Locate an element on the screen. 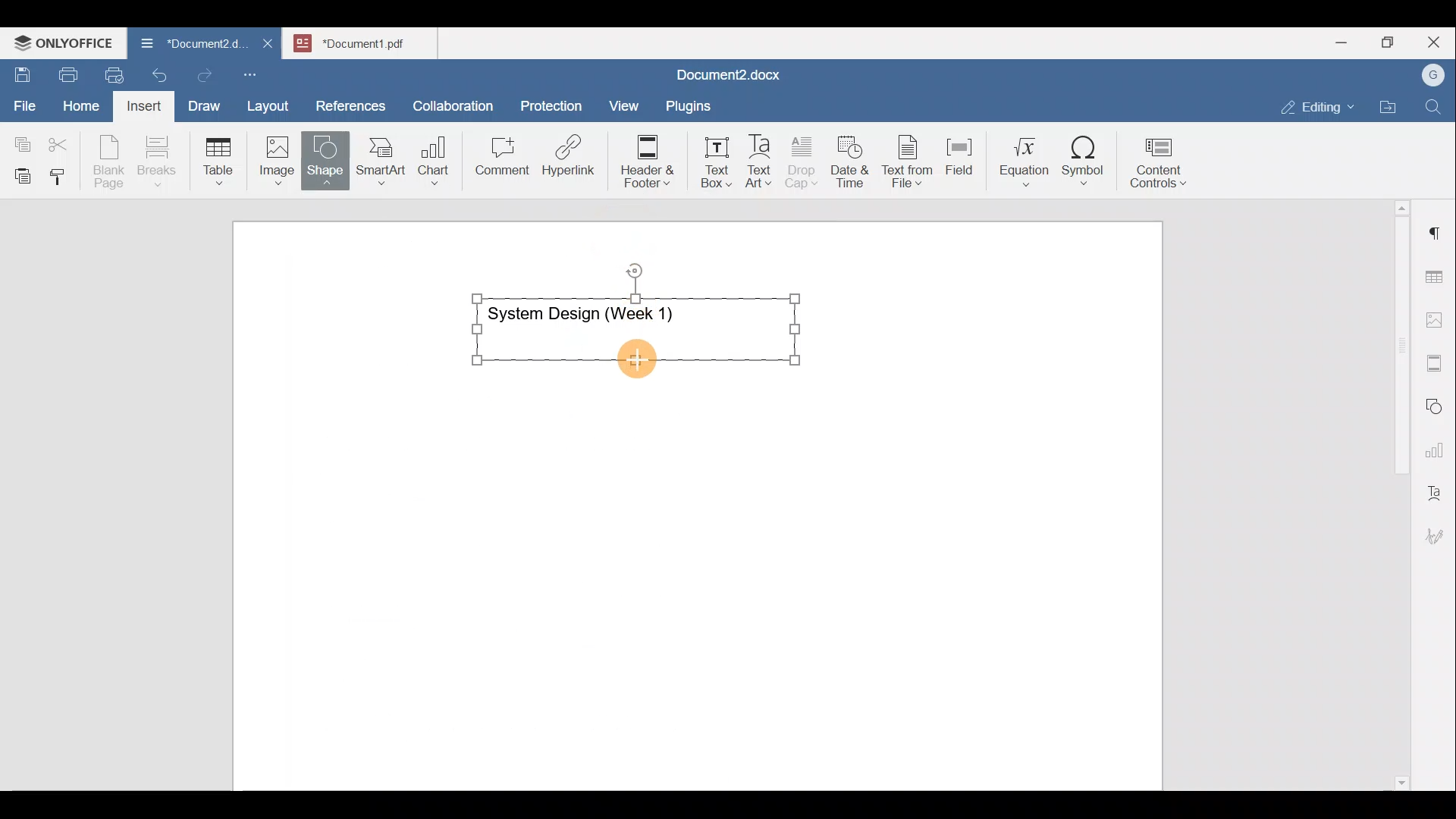  SmartArt is located at coordinates (378, 158).